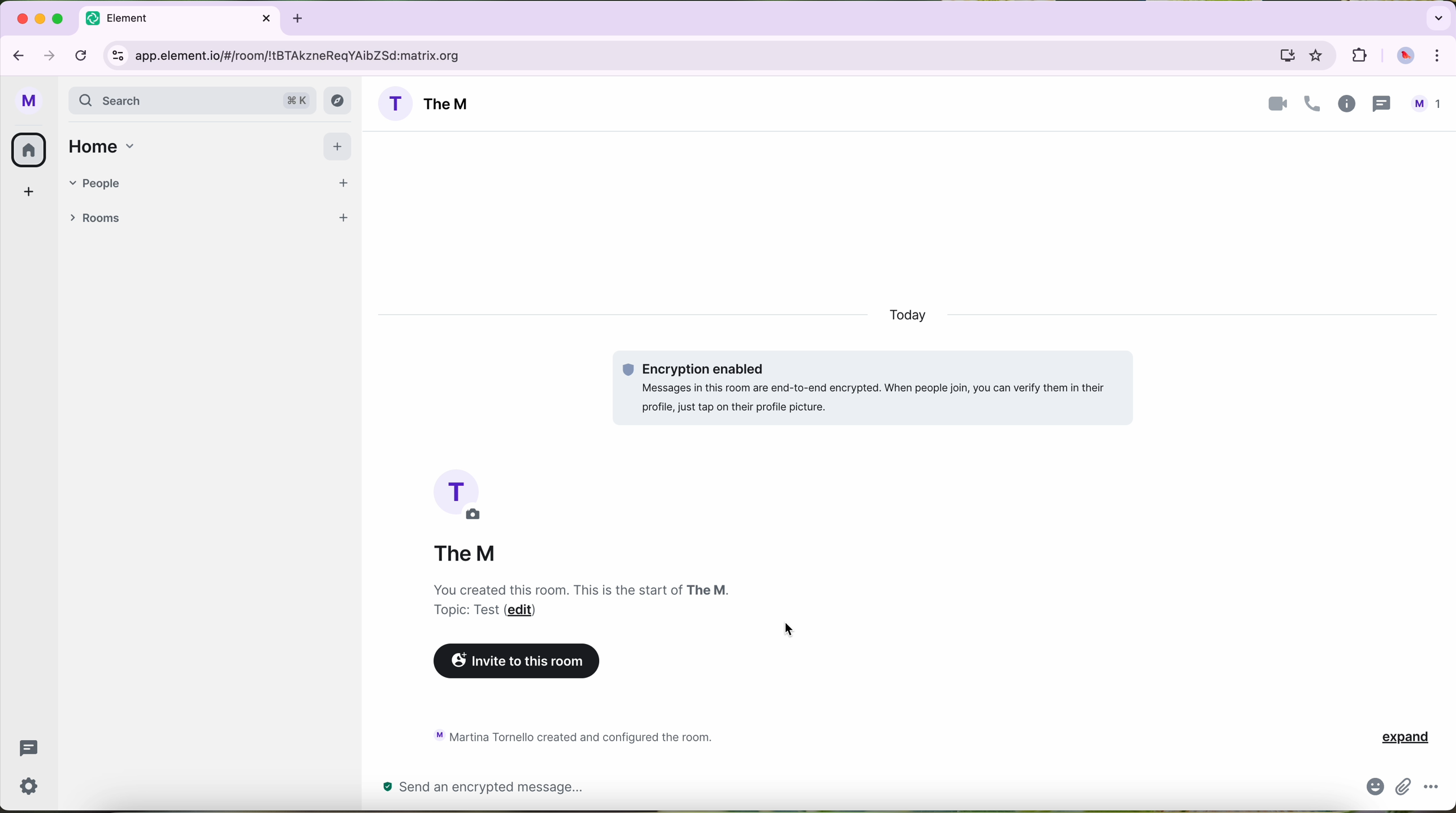  Describe the element at coordinates (98, 185) in the screenshot. I see `people` at that location.